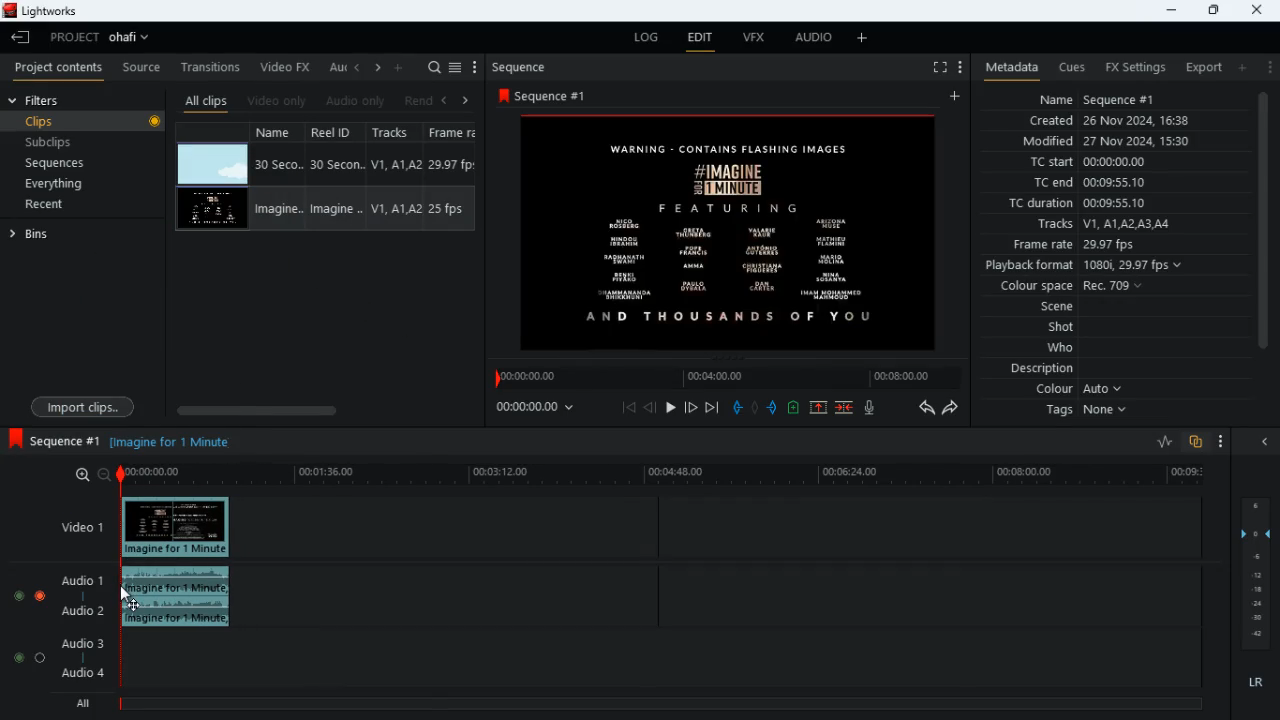 The image size is (1280, 720). Describe the element at coordinates (692, 407) in the screenshot. I see `front` at that location.